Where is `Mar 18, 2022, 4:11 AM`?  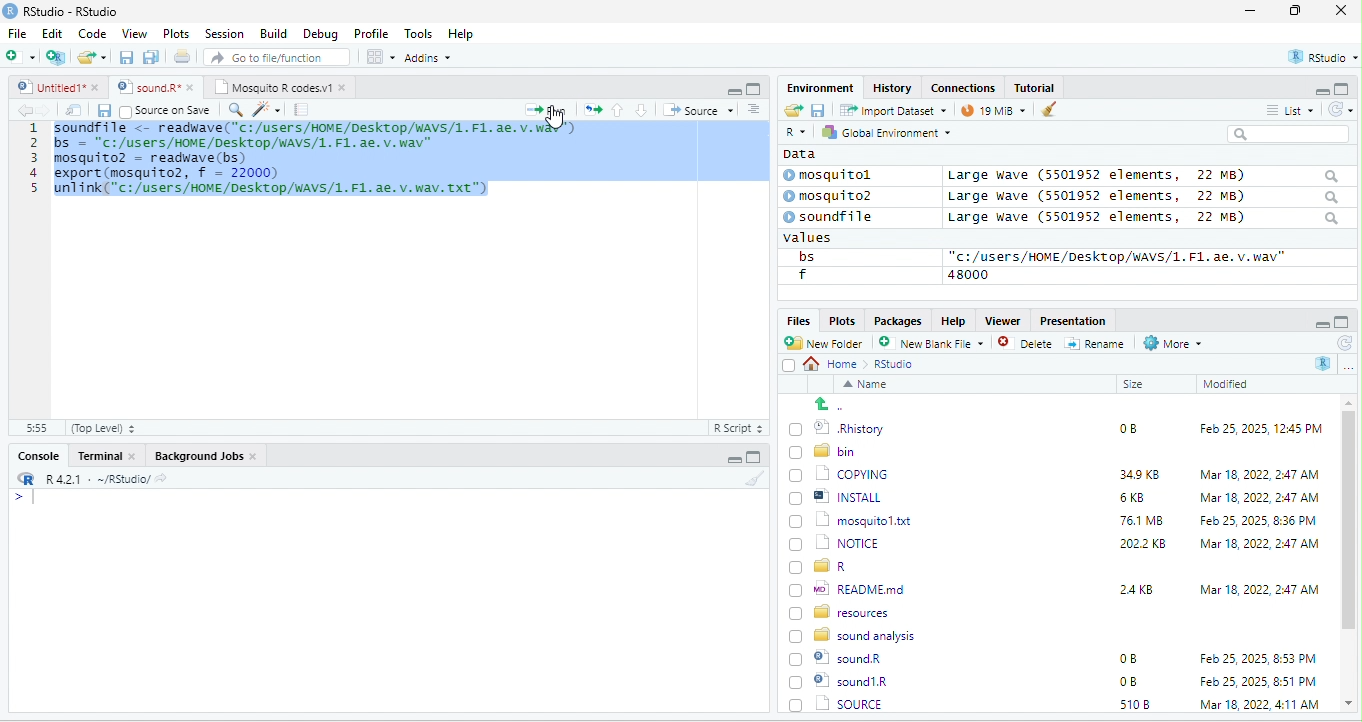 Mar 18, 2022, 4:11 AM is located at coordinates (1258, 681).